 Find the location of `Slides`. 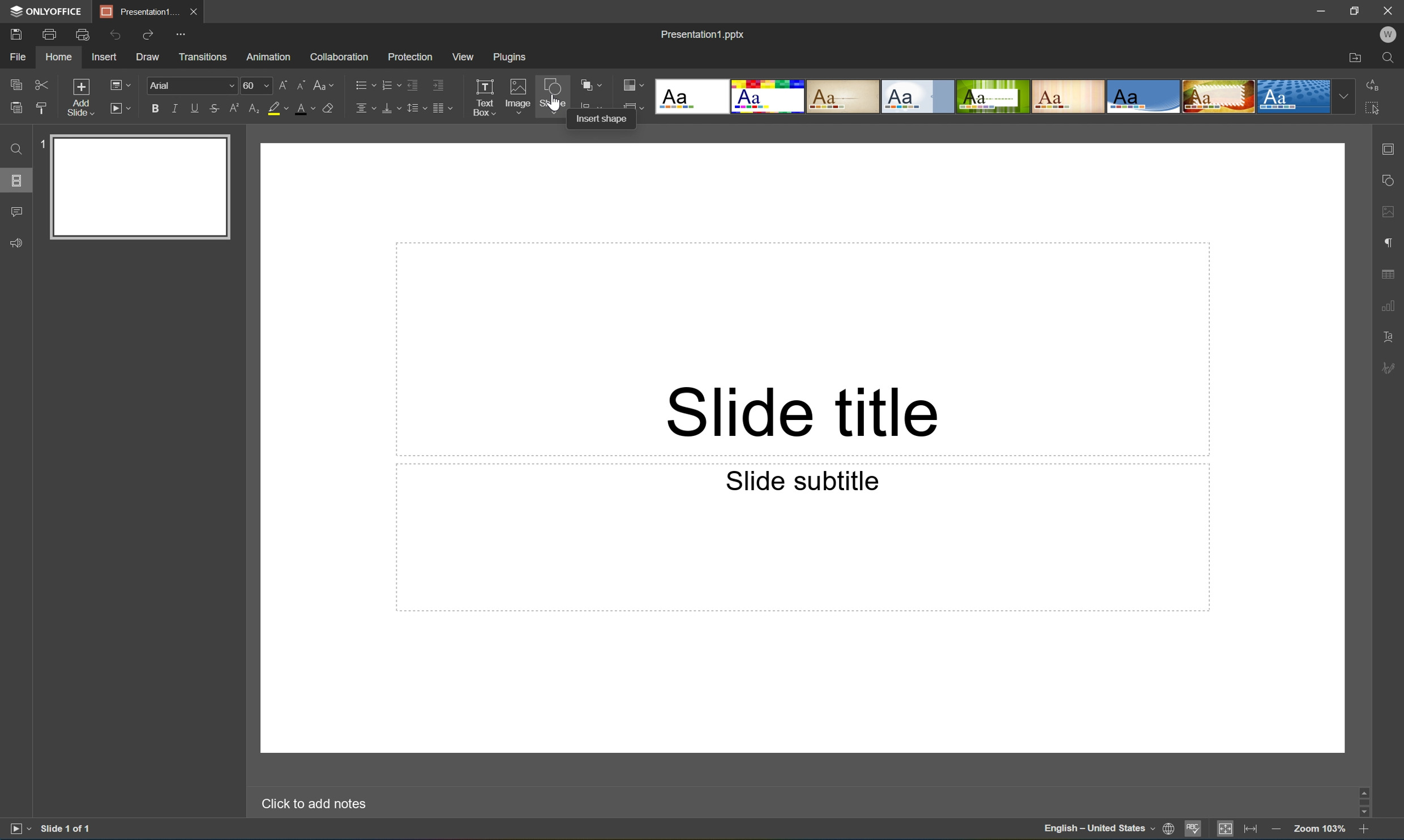

Slides is located at coordinates (16, 179).